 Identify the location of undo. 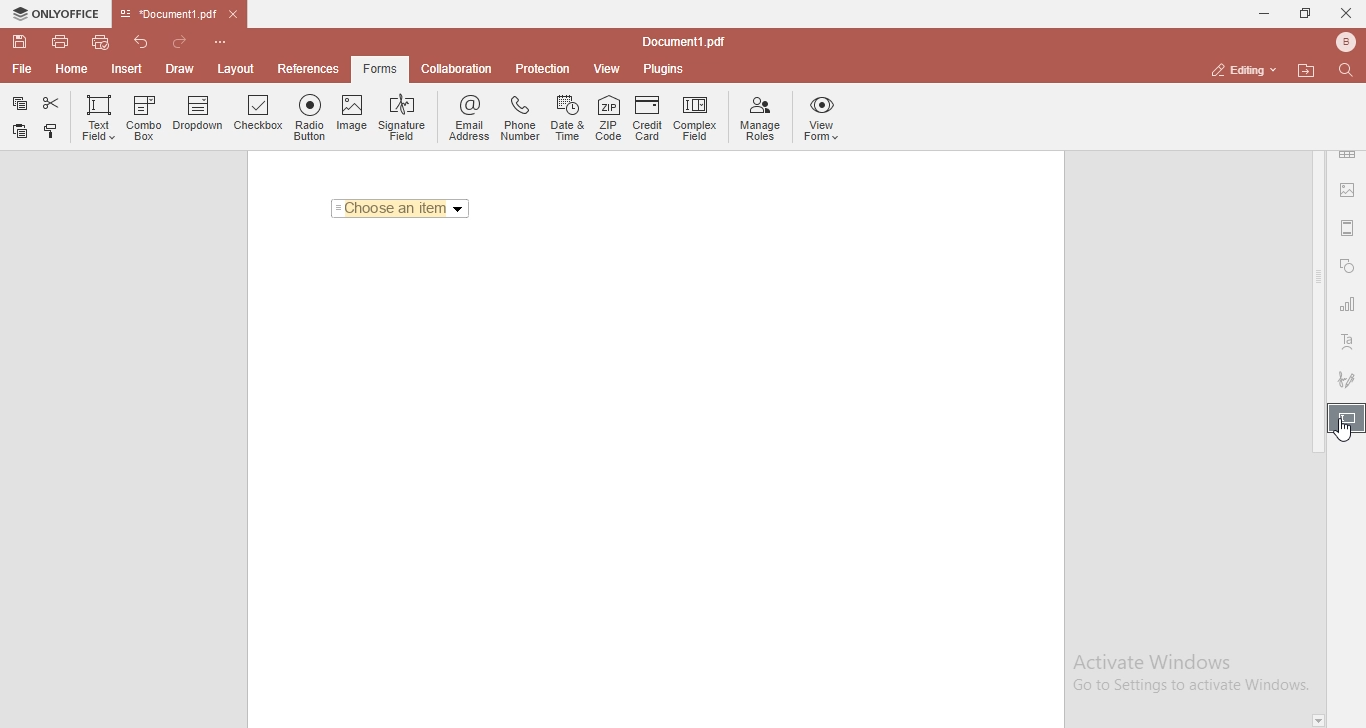
(144, 40).